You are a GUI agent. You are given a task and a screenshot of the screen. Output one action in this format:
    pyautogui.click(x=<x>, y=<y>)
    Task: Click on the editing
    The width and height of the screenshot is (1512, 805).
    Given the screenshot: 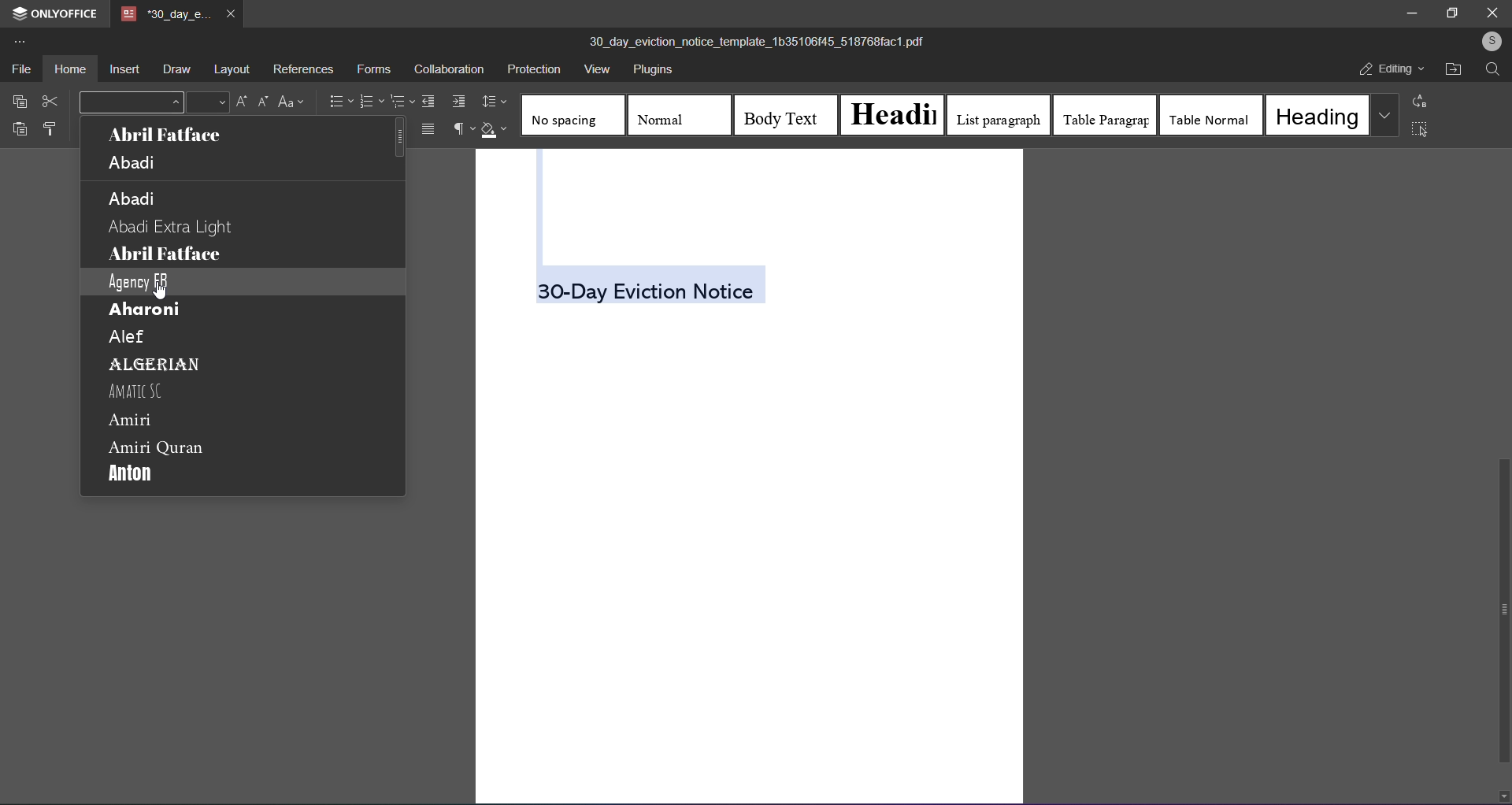 What is the action you would take?
    pyautogui.click(x=1392, y=69)
    